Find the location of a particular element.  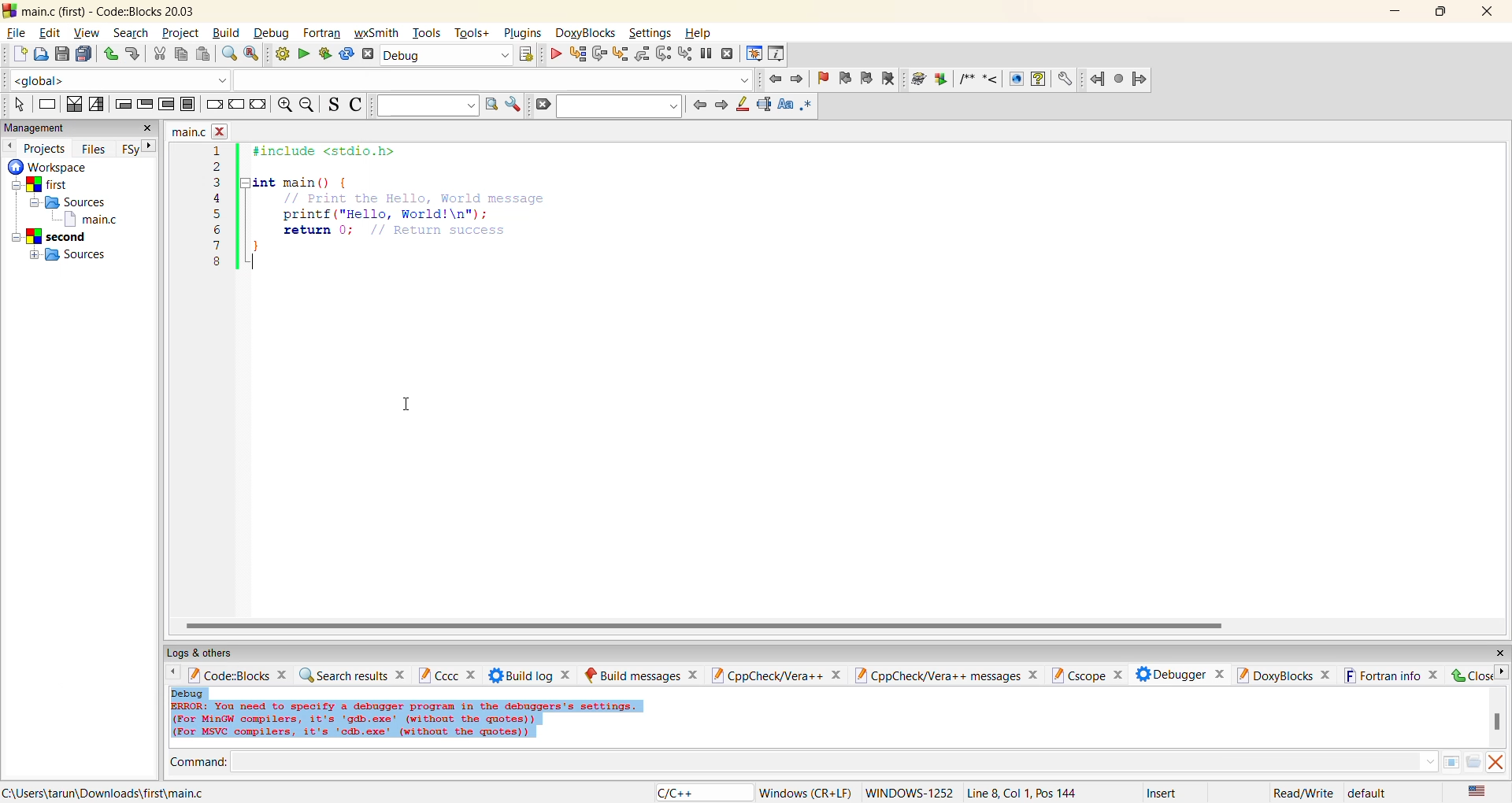

various info is located at coordinates (775, 54).